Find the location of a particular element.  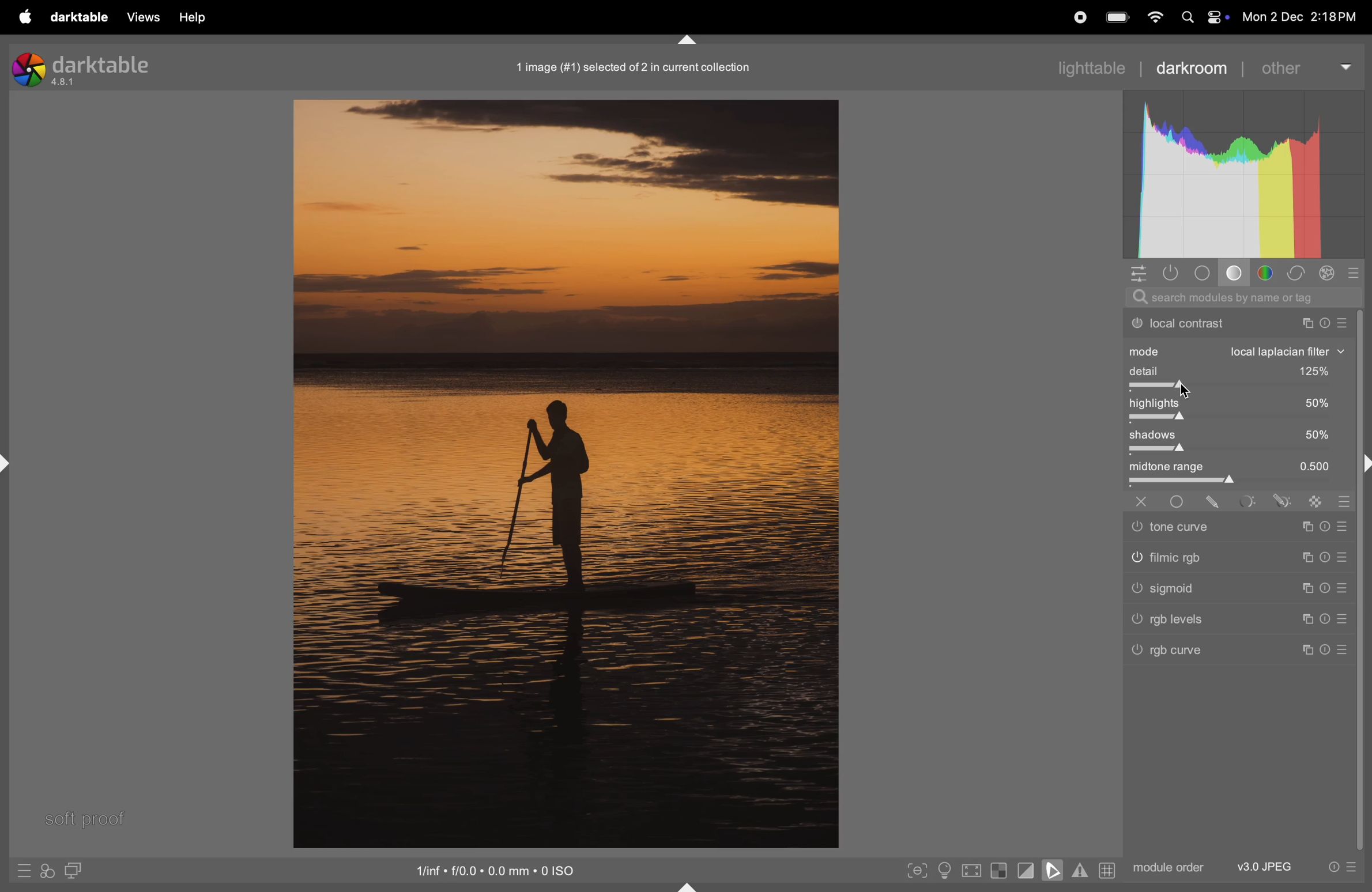

togglebar is located at coordinates (1238, 386).